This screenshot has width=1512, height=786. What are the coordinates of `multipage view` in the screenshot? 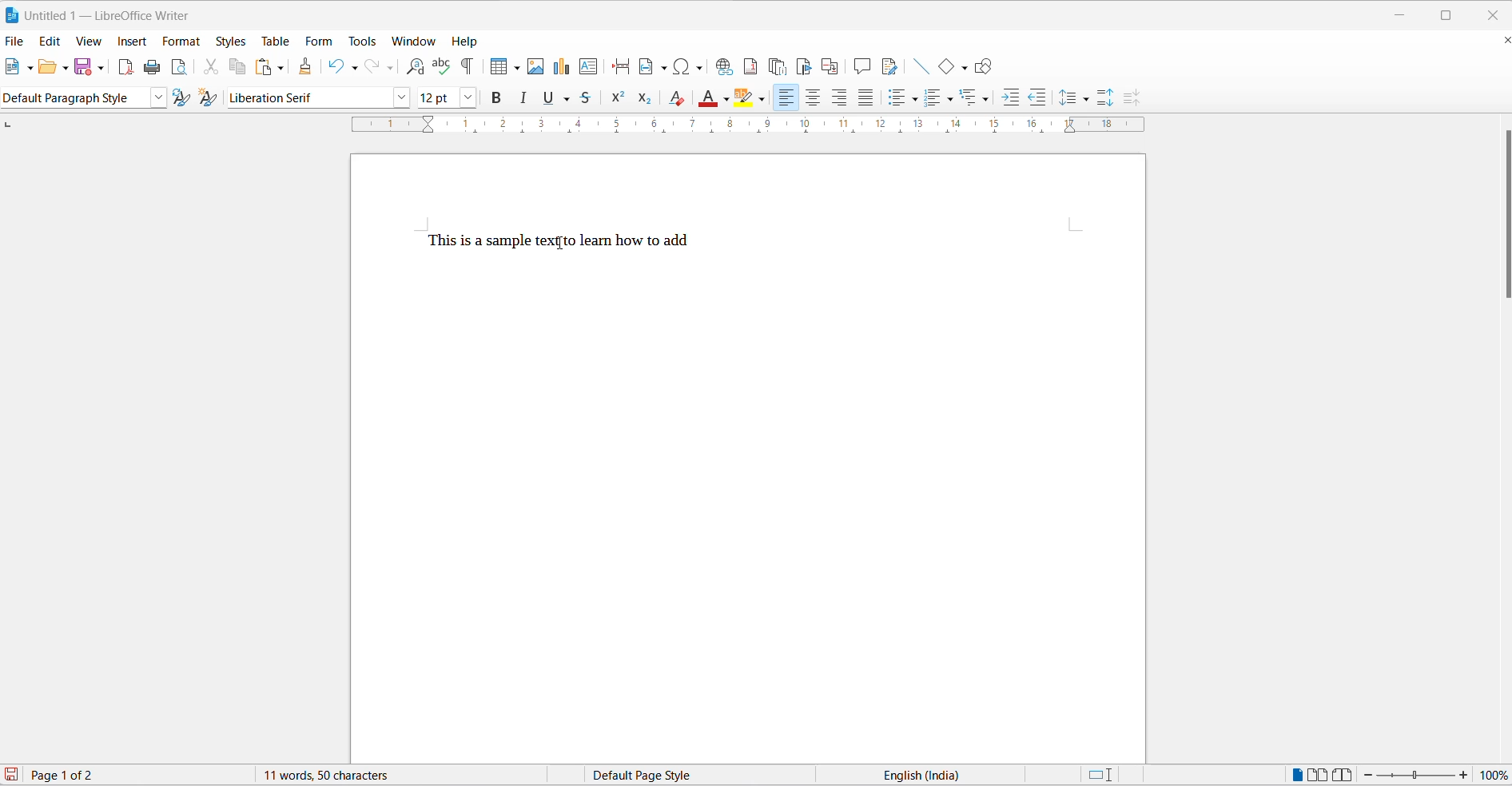 It's located at (1318, 774).